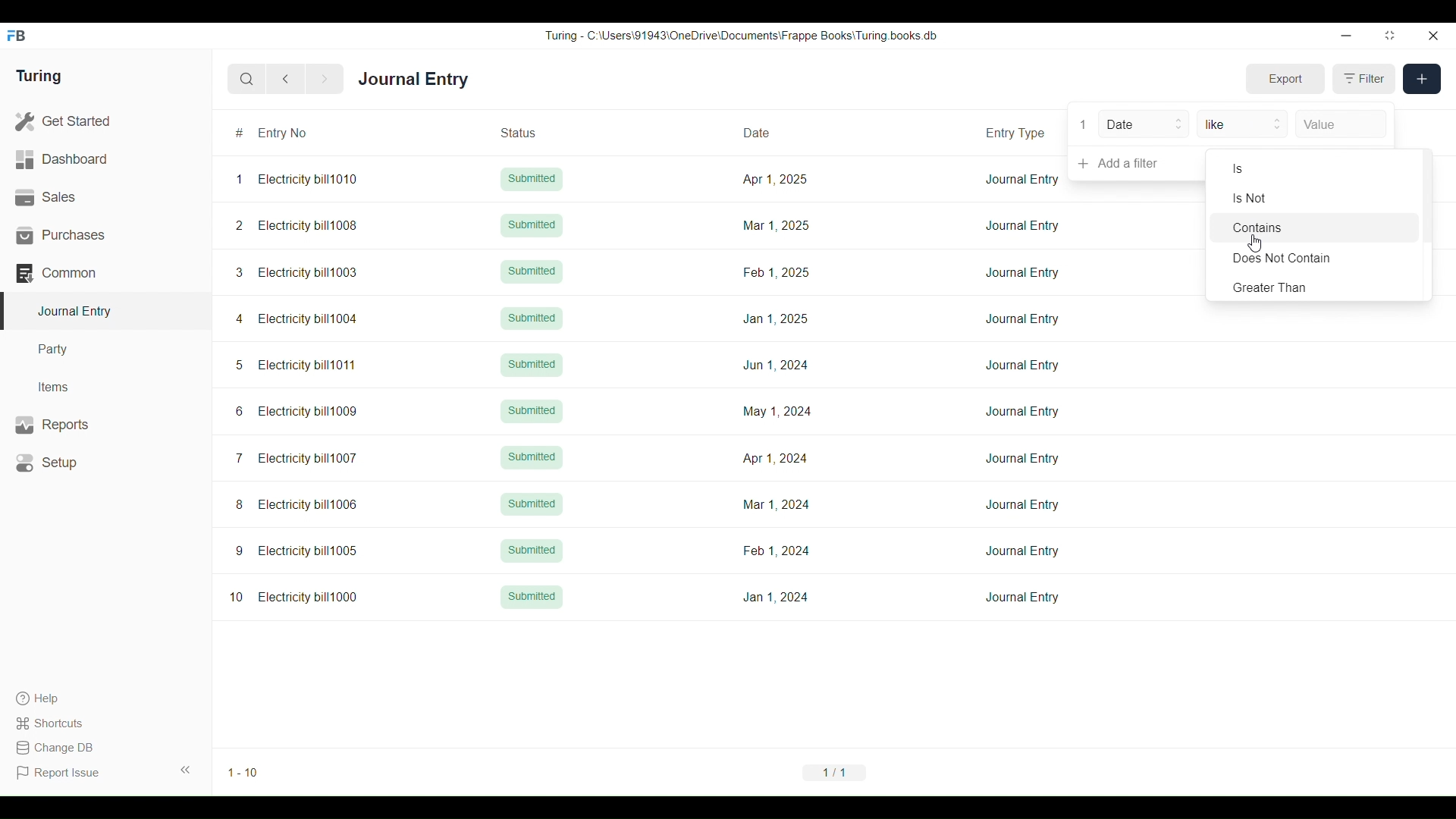 The height and width of the screenshot is (819, 1456). I want to click on Apr 1, 2024, so click(774, 458).